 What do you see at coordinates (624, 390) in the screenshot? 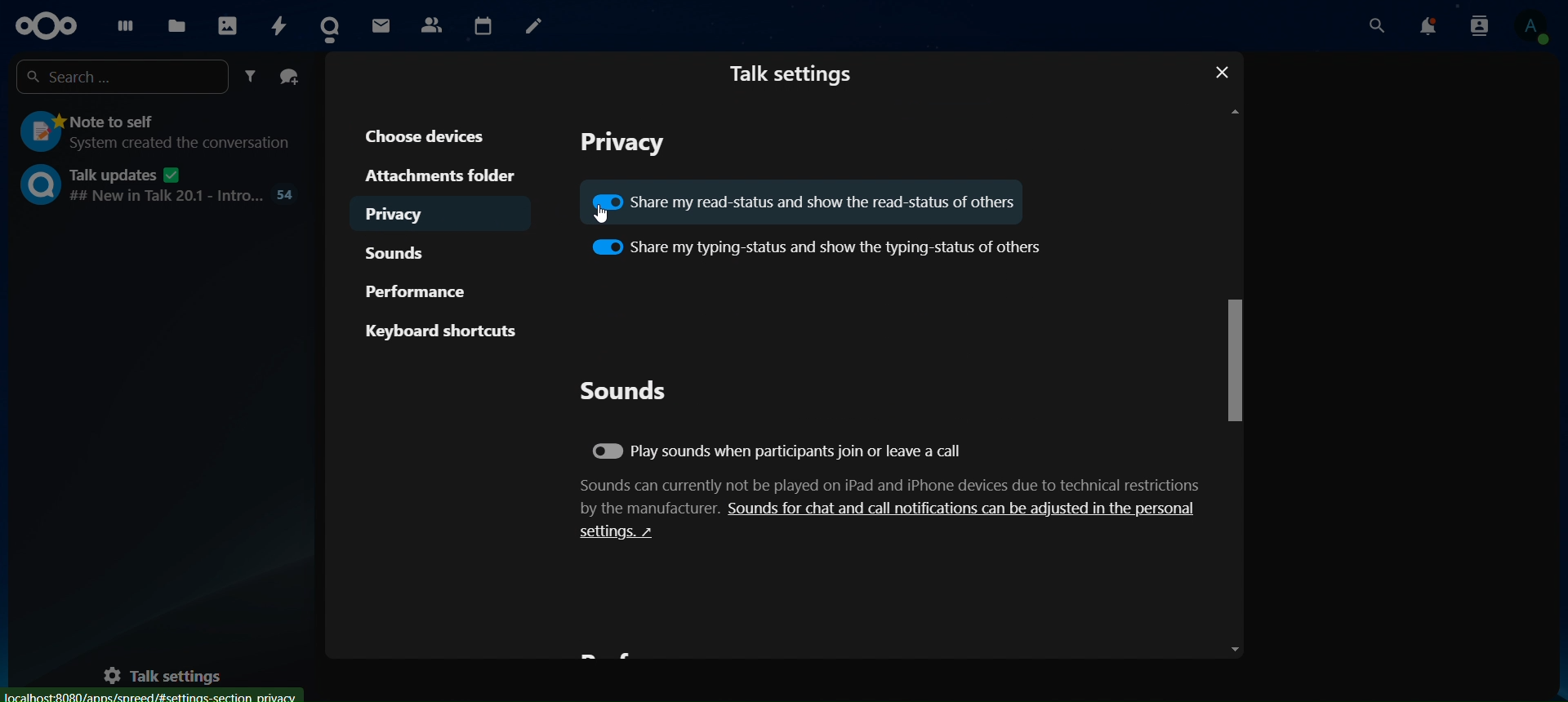
I see `sounds` at bounding box center [624, 390].